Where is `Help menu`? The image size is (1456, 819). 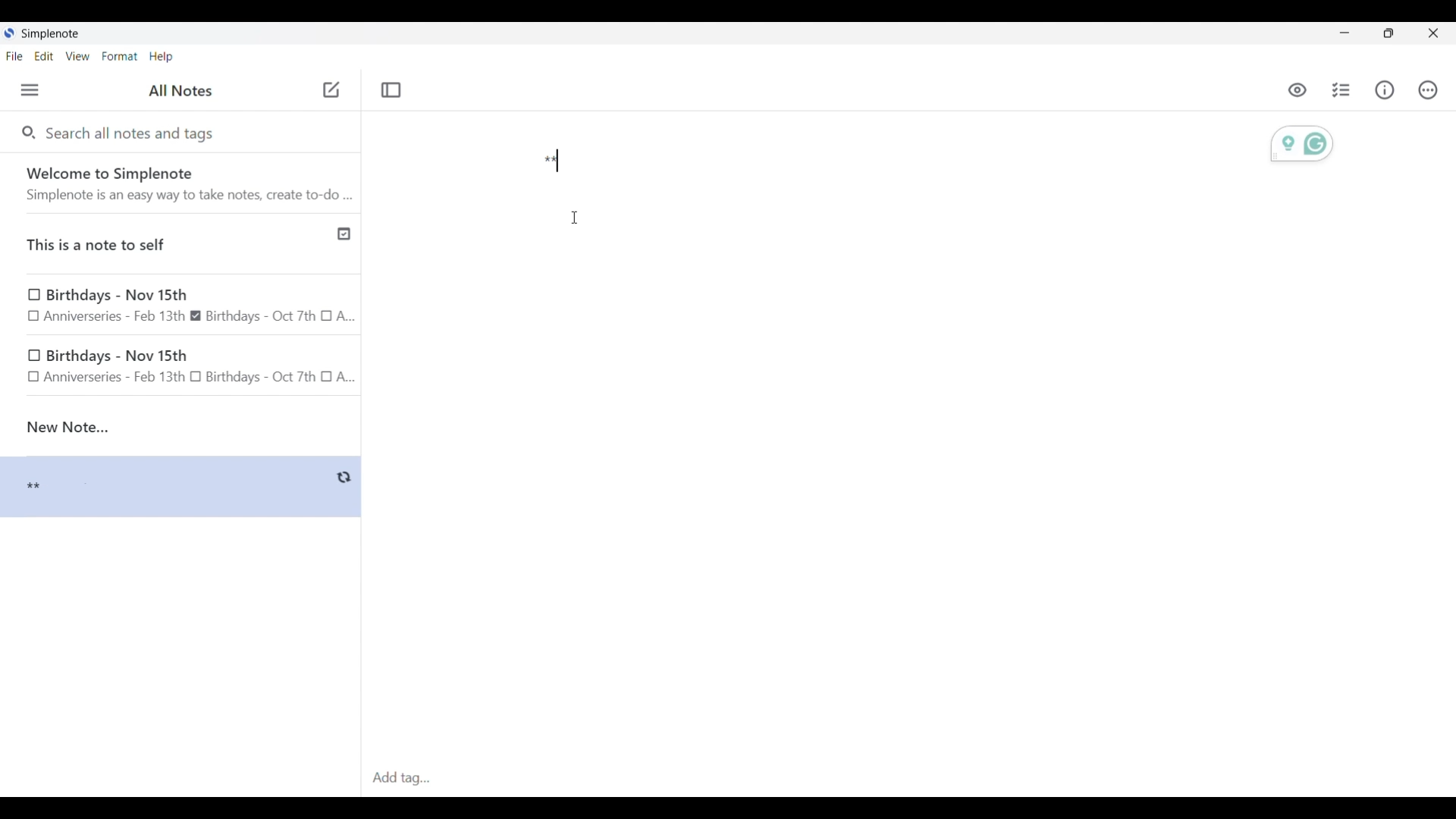
Help menu is located at coordinates (161, 56).